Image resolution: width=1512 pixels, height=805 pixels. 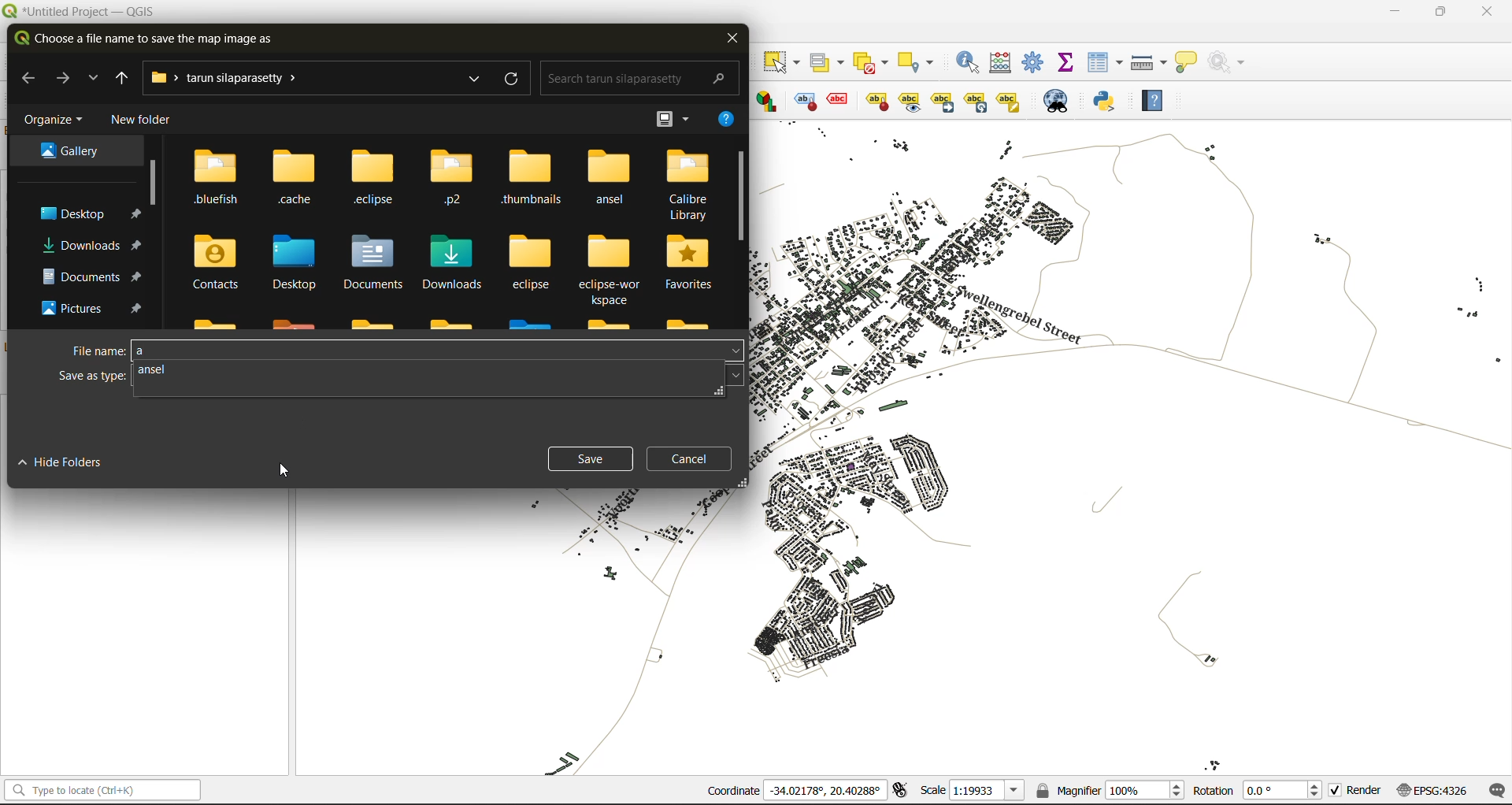 What do you see at coordinates (976, 100) in the screenshot?
I see `Rotate a label` at bounding box center [976, 100].